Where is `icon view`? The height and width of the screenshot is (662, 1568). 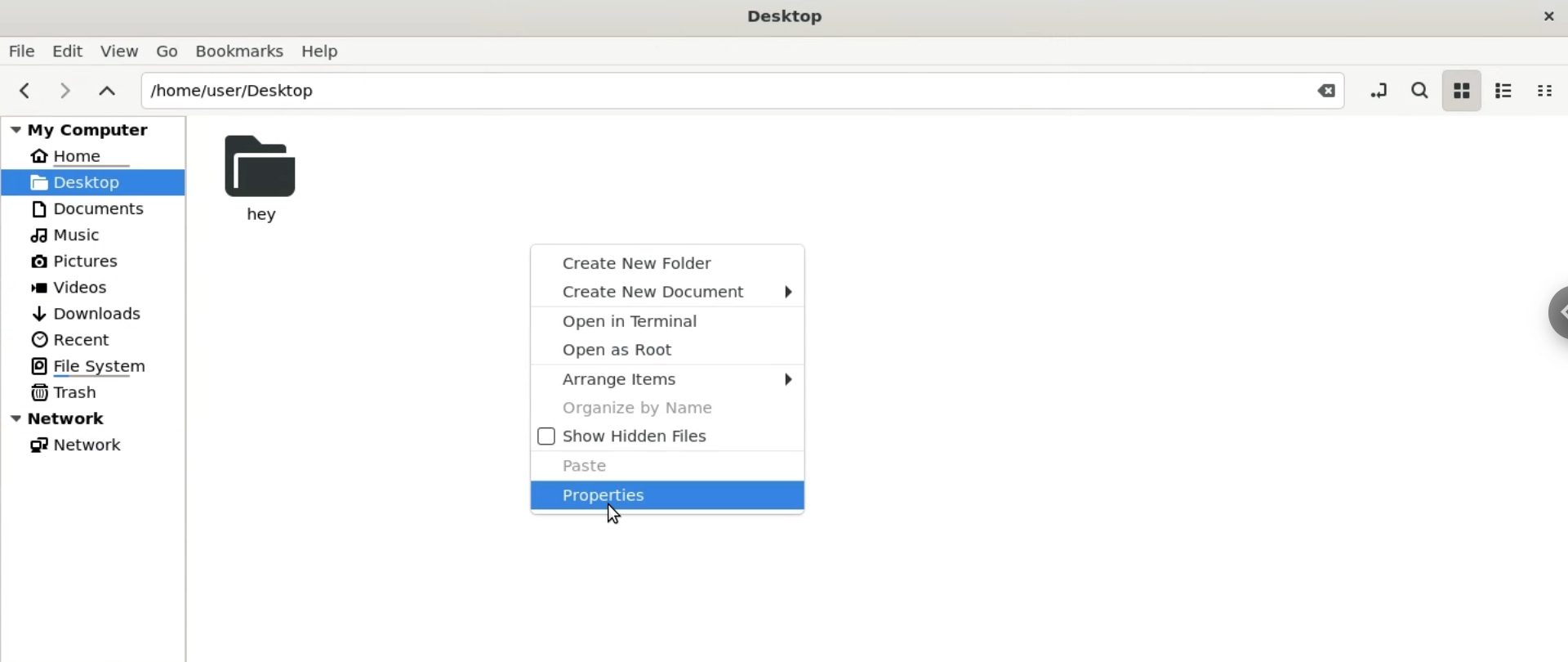 icon view is located at coordinates (1463, 91).